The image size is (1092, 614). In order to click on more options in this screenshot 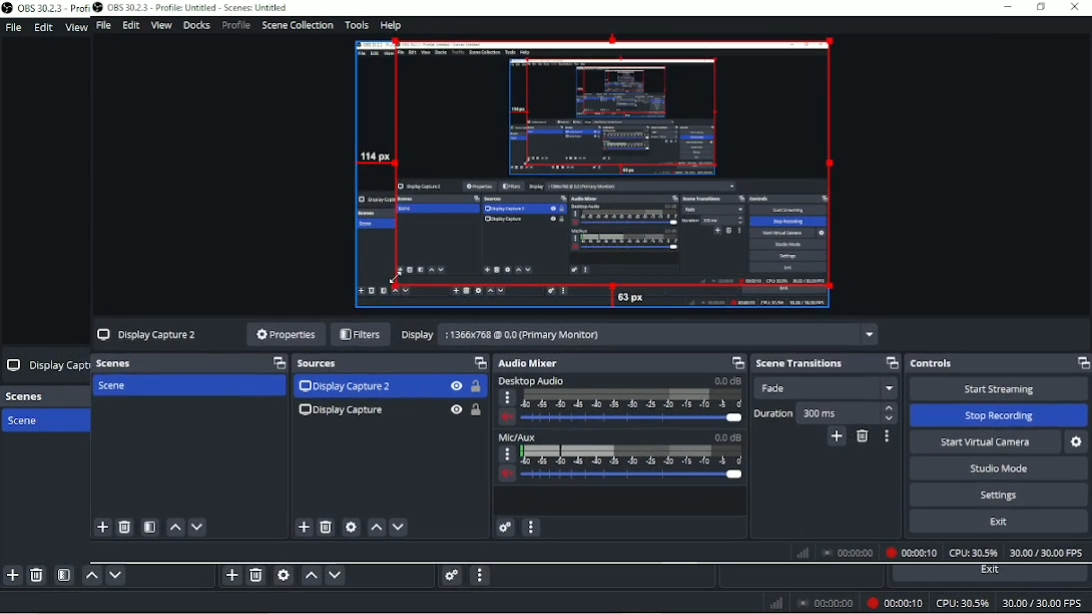, I will do `click(508, 400)`.